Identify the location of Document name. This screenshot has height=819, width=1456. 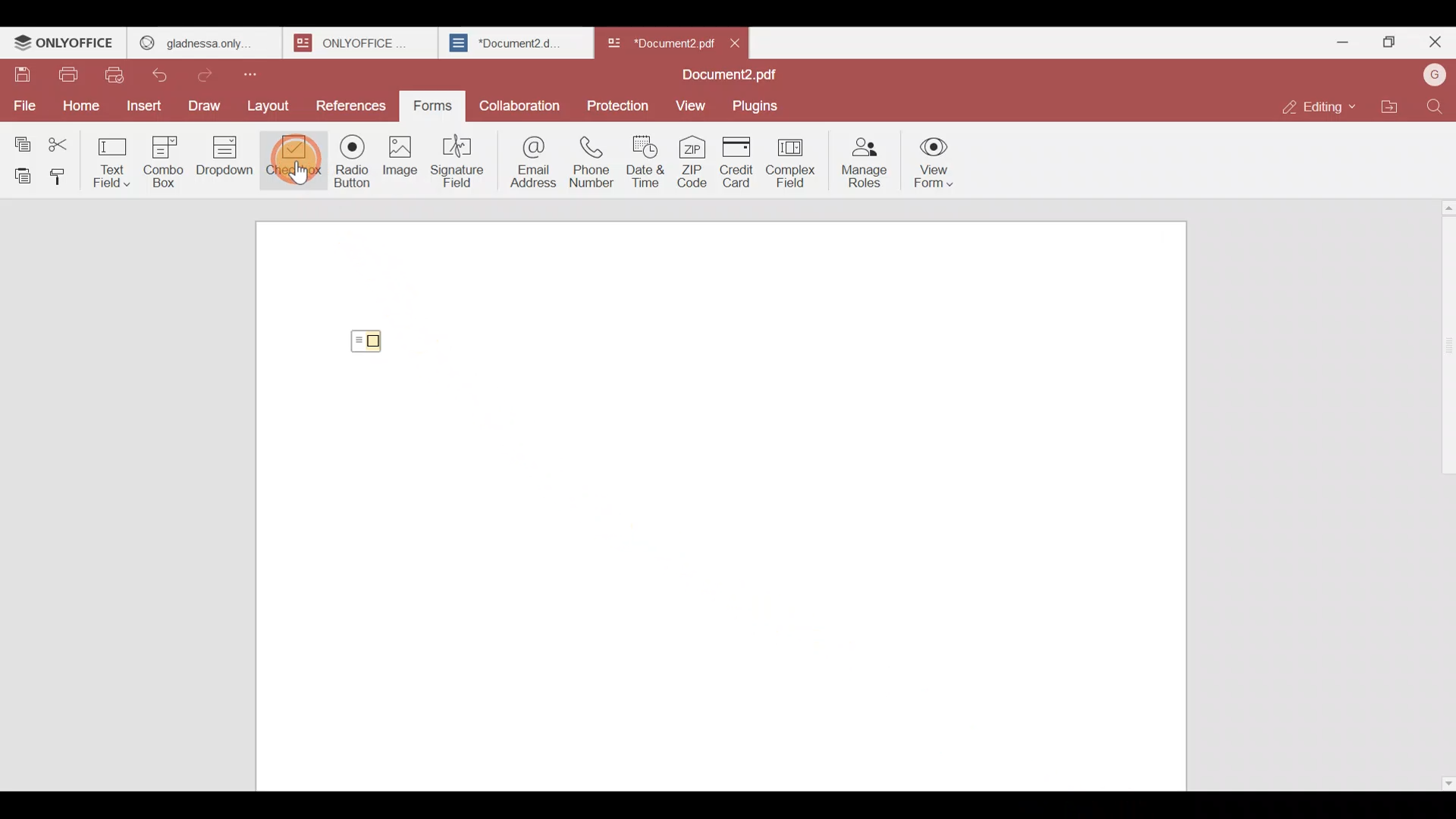
(659, 39).